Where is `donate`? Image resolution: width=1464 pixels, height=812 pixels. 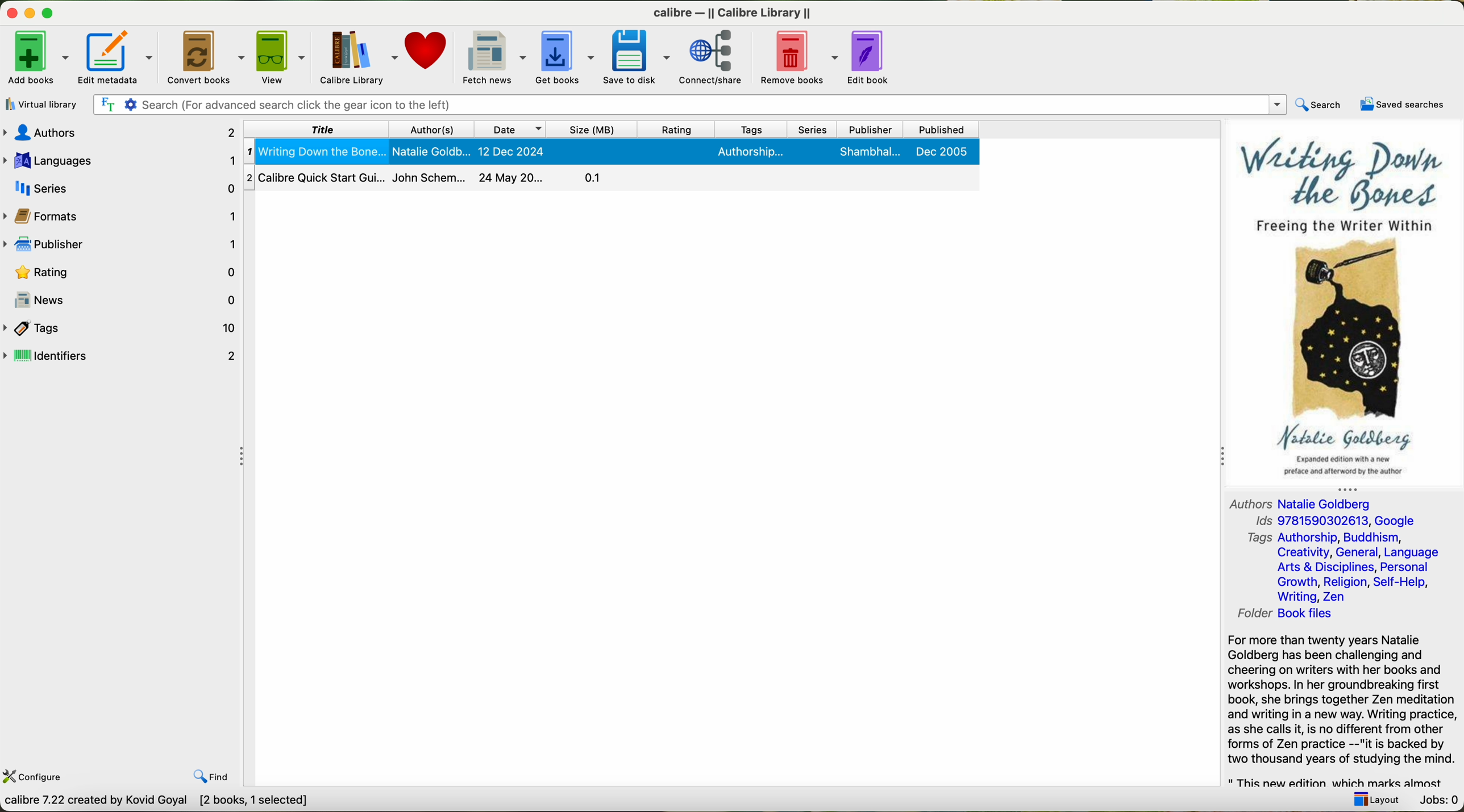 donate is located at coordinates (427, 50).